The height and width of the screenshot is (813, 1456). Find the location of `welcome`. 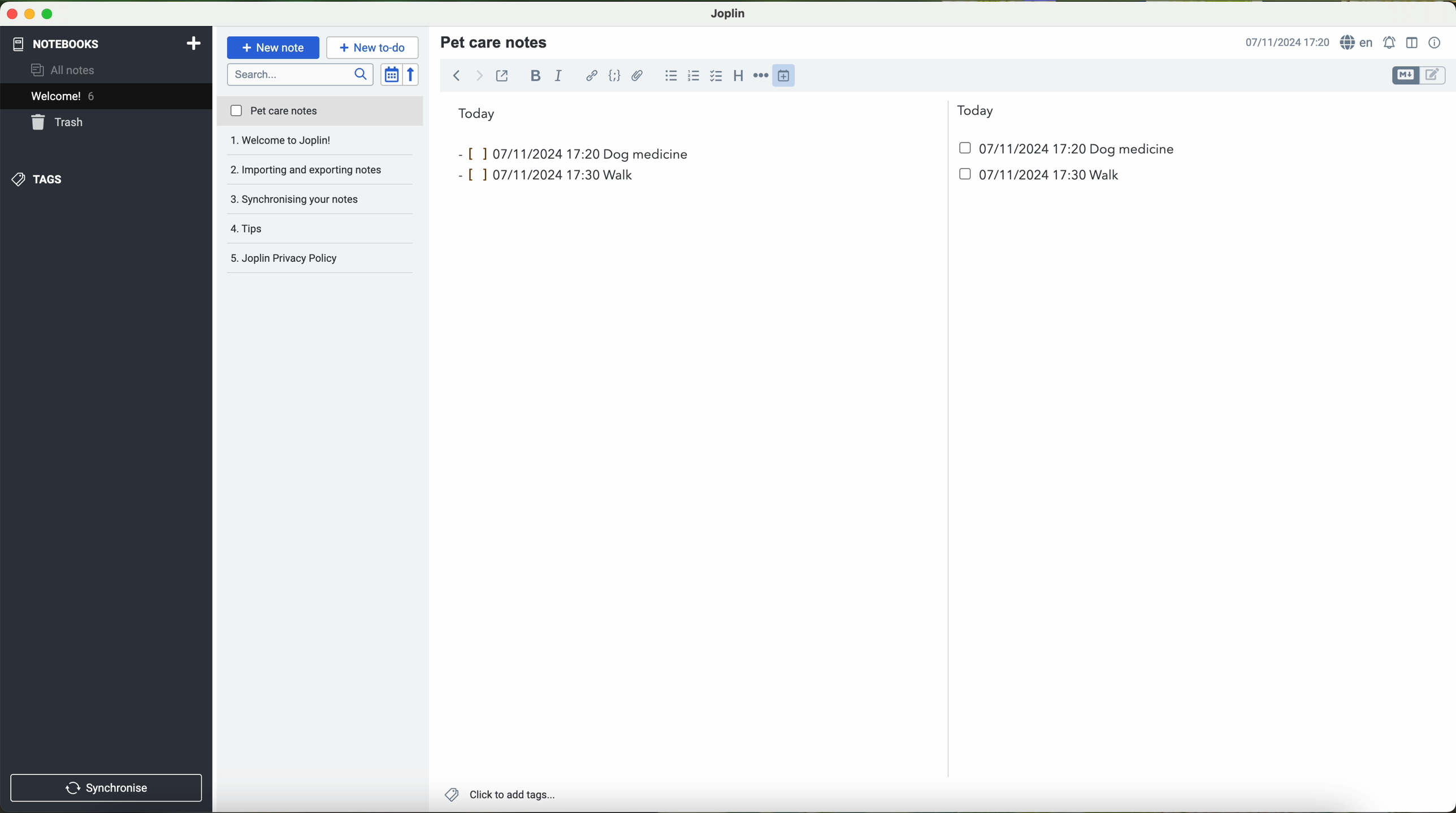

welcome is located at coordinates (106, 98).